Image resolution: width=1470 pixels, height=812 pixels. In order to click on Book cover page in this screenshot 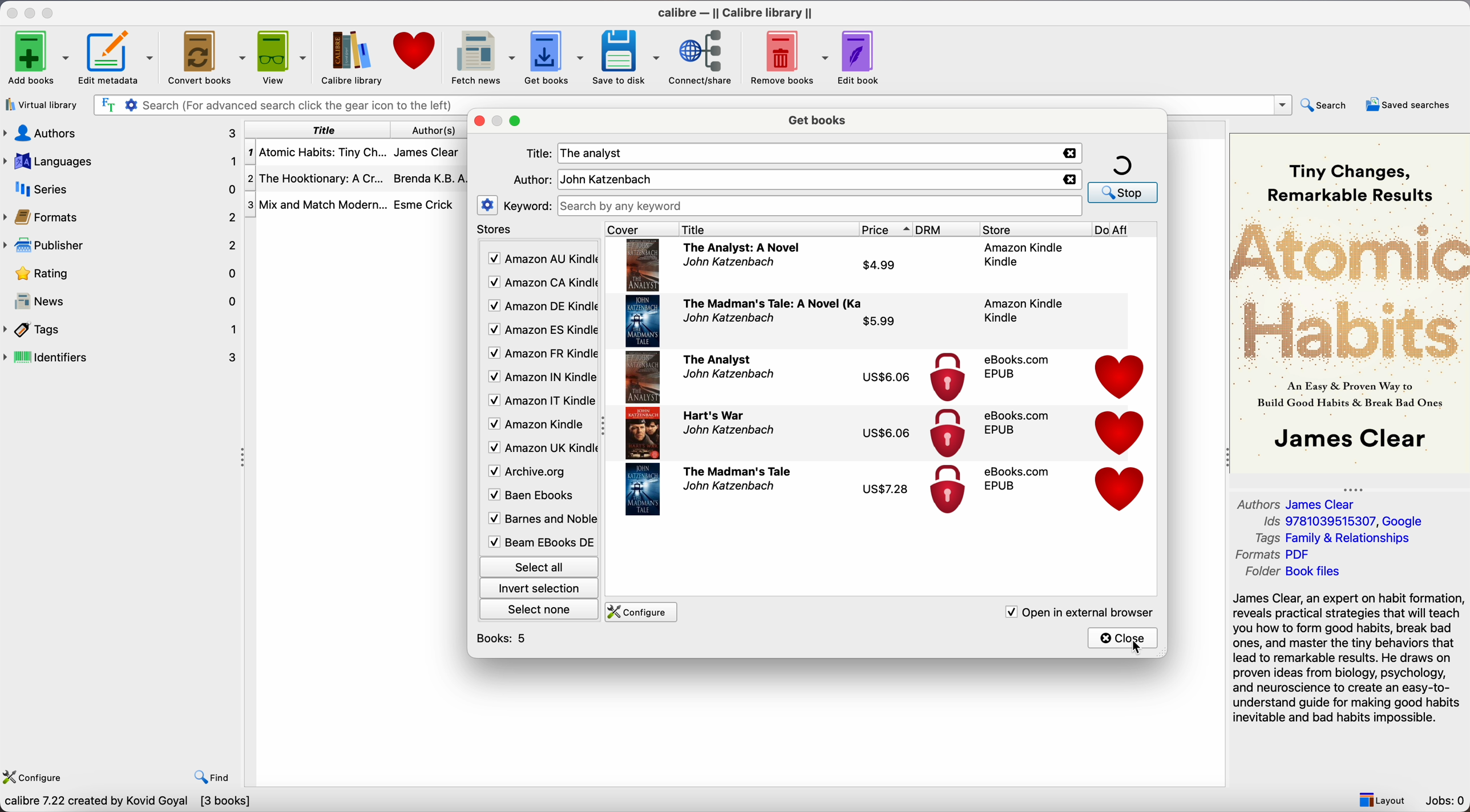, I will do `click(644, 265)`.